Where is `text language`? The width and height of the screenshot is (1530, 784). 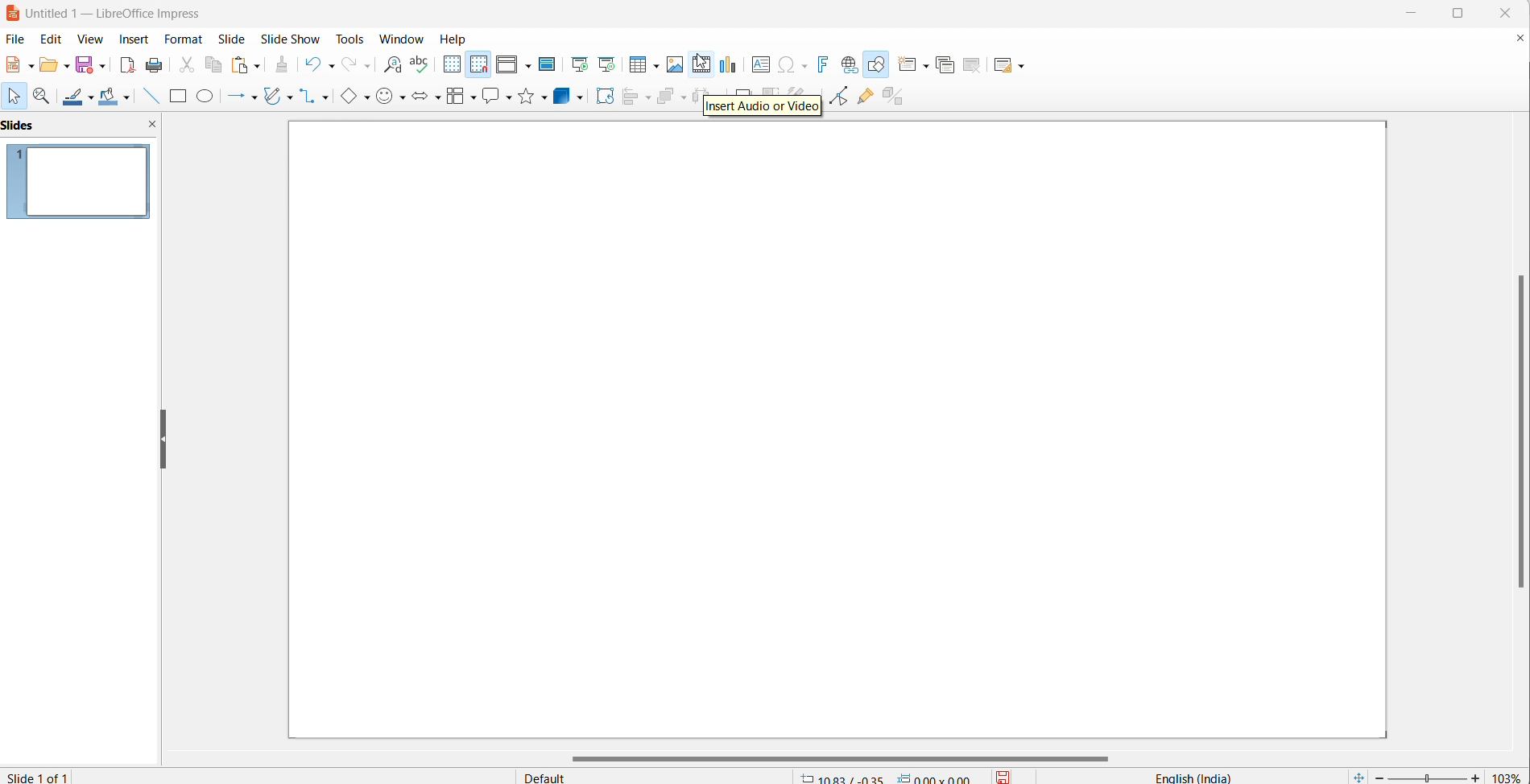 text language is located at coordinates (1181, 776).